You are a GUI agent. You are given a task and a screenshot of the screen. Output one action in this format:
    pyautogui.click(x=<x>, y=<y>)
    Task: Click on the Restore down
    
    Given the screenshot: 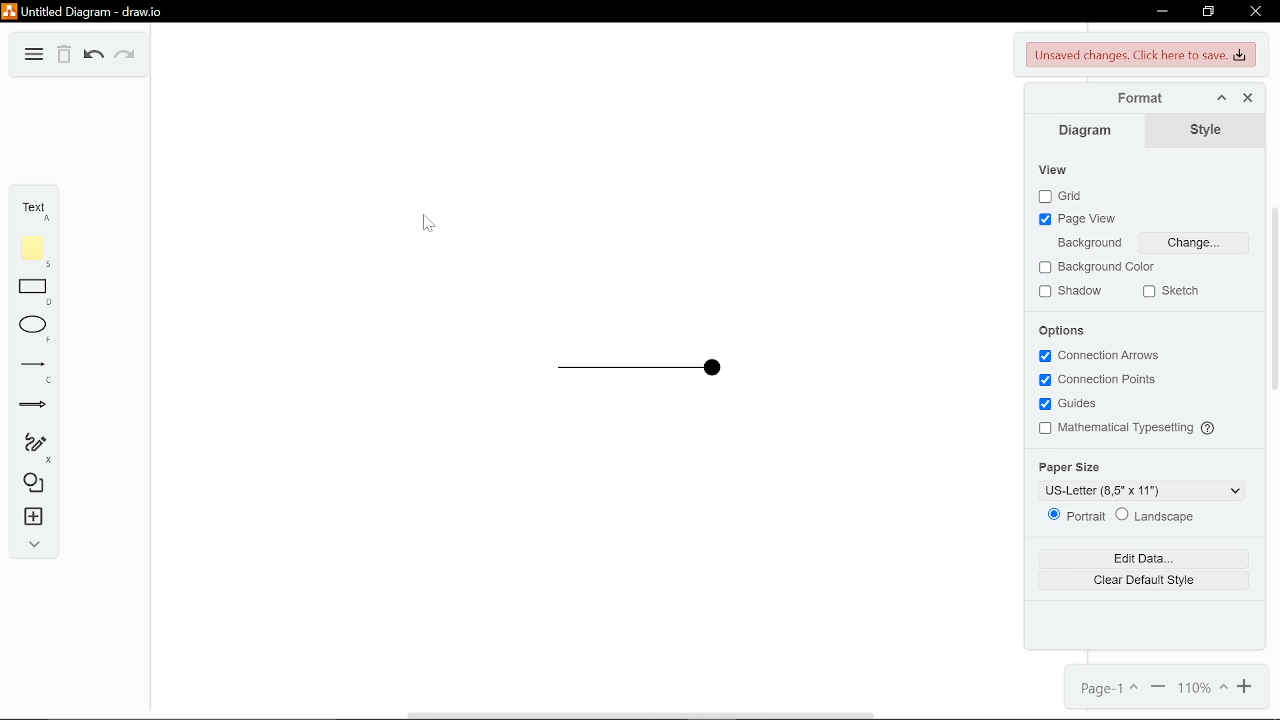 What is the action you would take?
    pyautogui.click(x=1211, y=12)
    